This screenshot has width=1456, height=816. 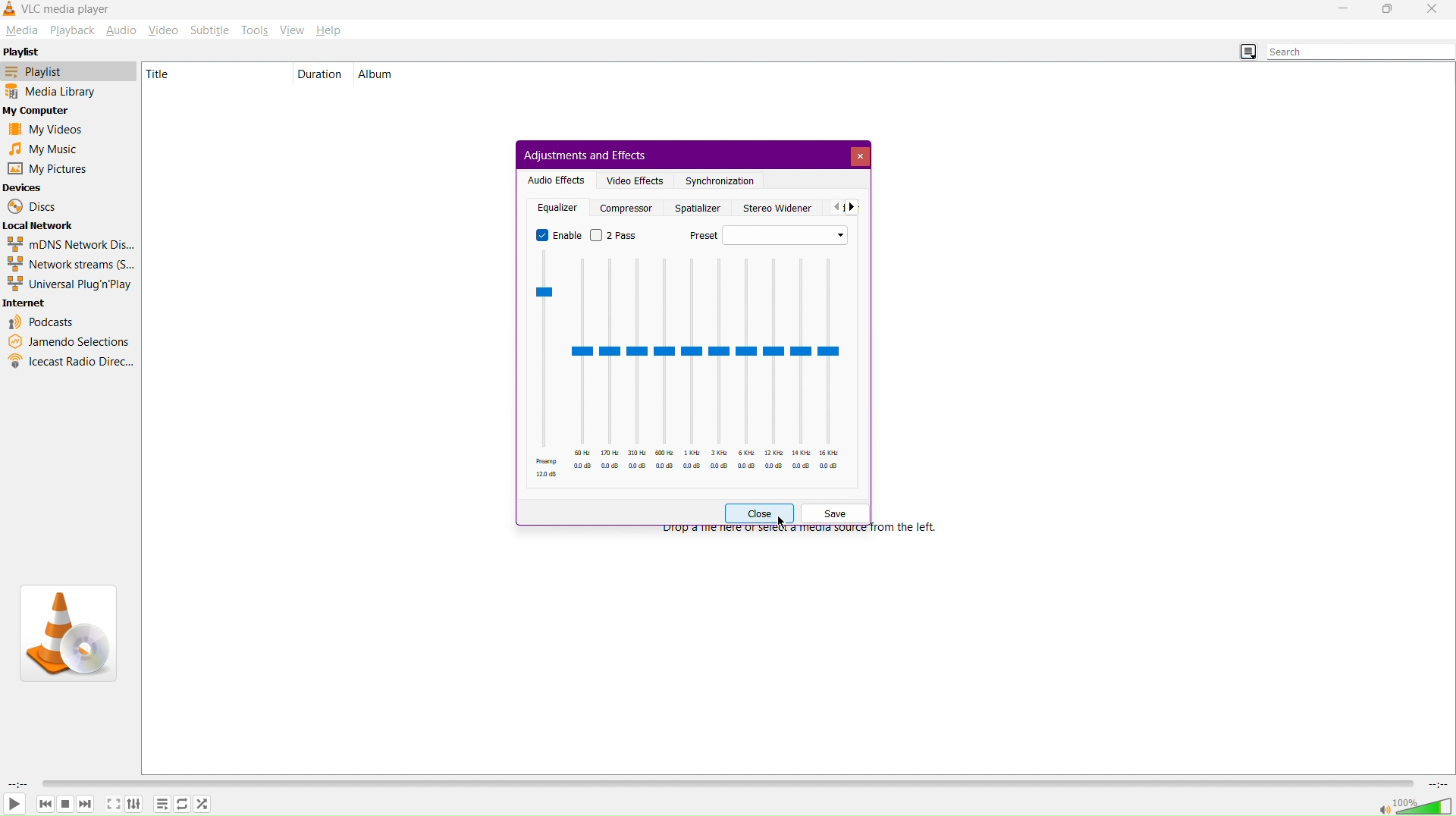 I want to click on Playlist, so click(x=69, y=71).